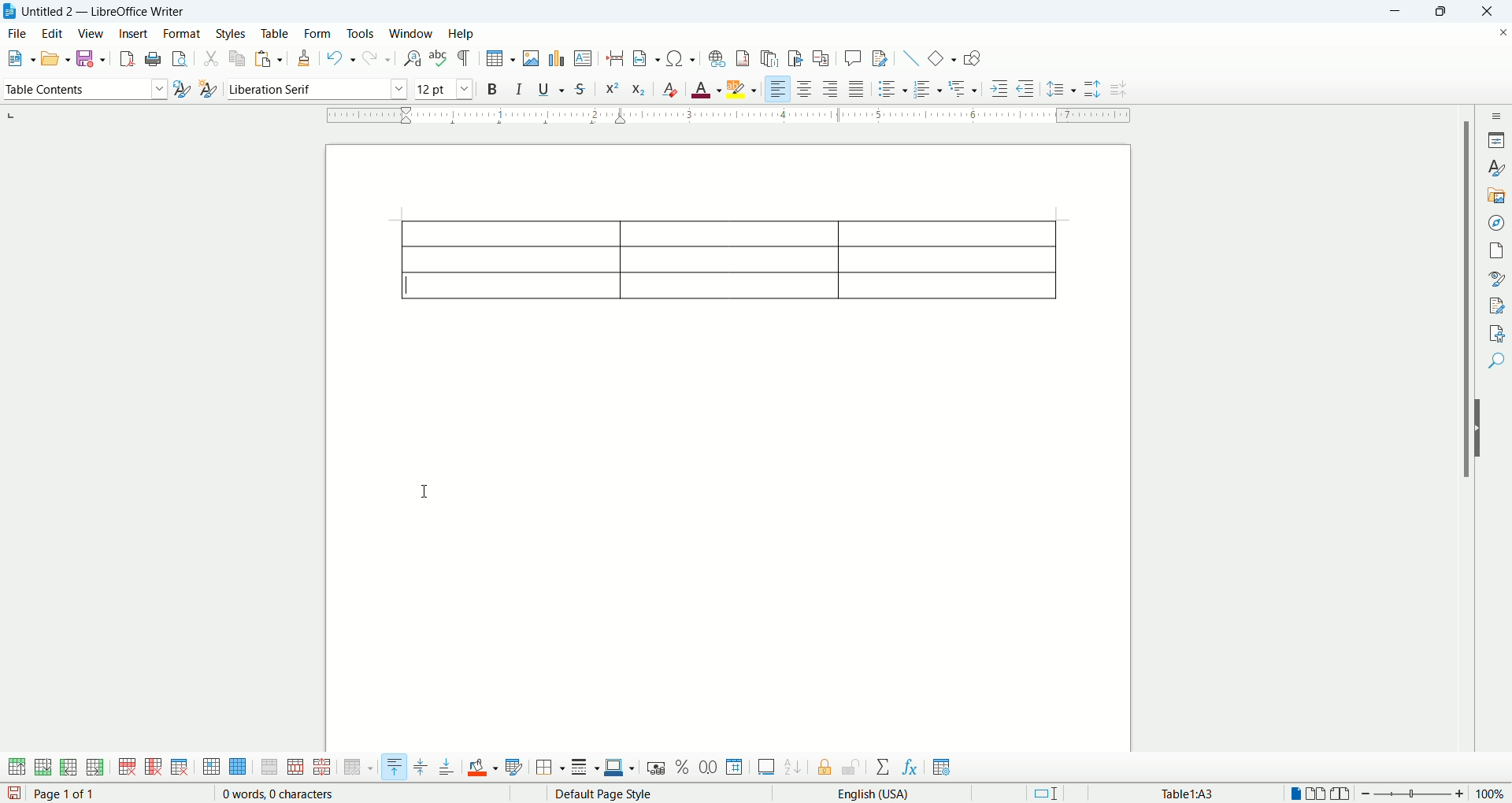 Image resolution: width=1512 pixels, height=803 pixels. Describe the element at coordinates (448, 769) in the screenshot. I see `align bottom` at that location.